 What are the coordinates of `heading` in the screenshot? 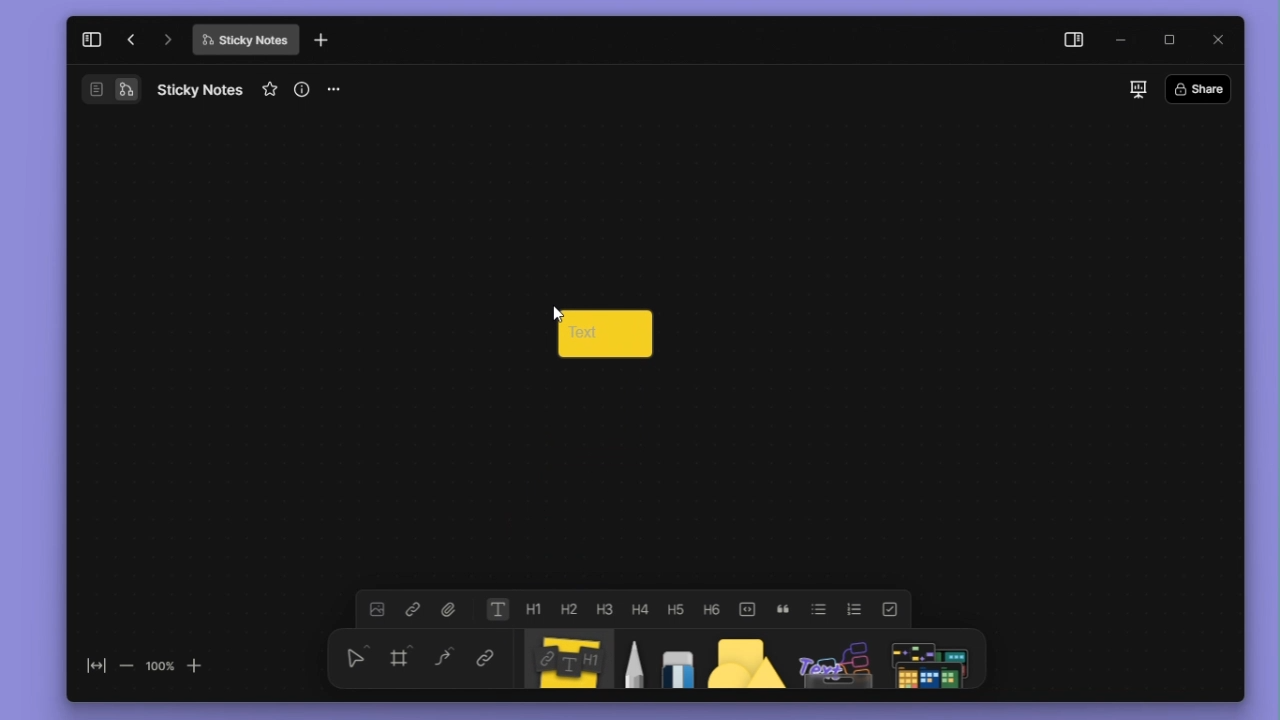 It's located at (681, 609).